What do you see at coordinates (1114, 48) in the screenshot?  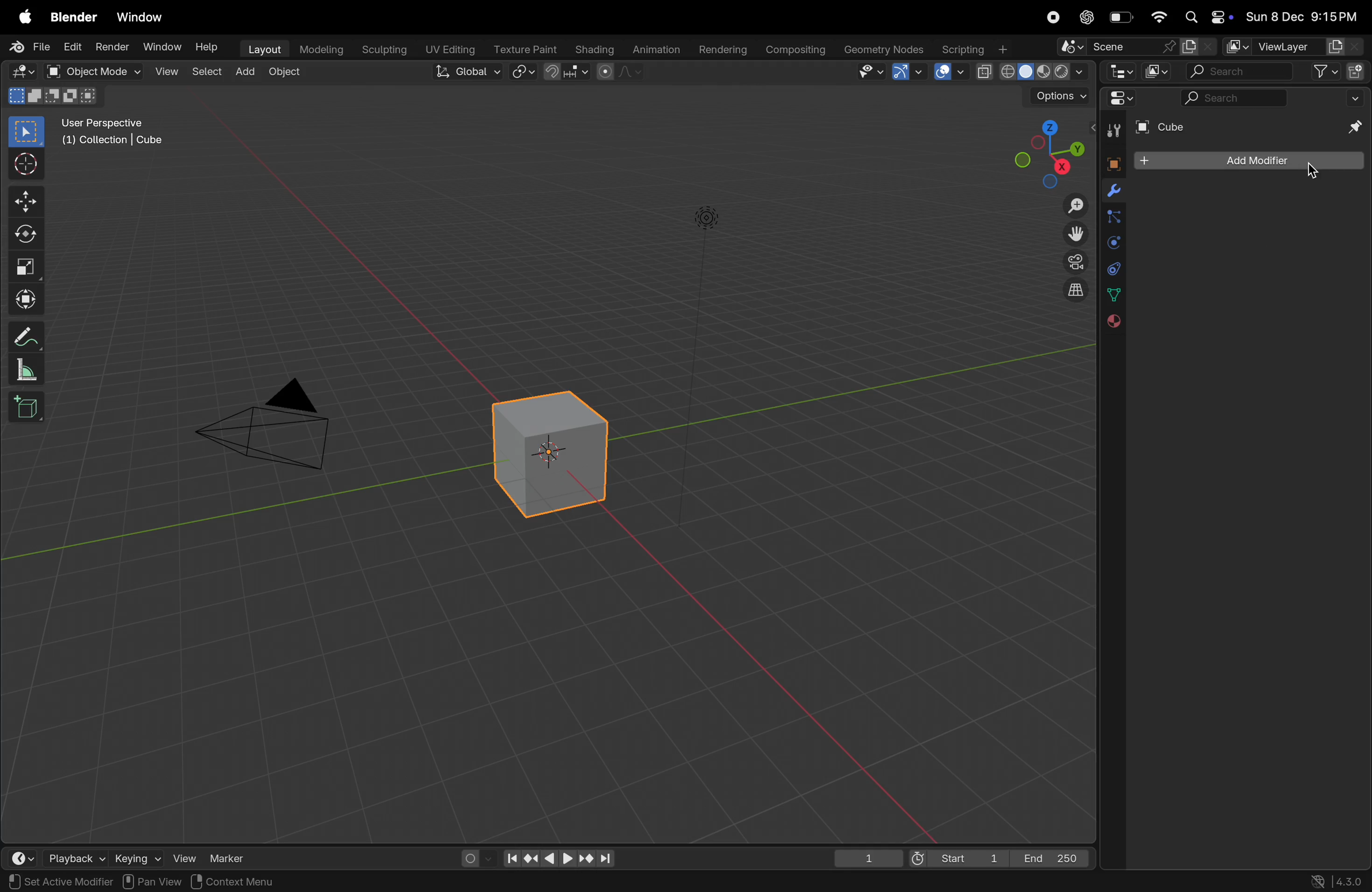 I see `pin scene` at bounding box center [1114, 48].